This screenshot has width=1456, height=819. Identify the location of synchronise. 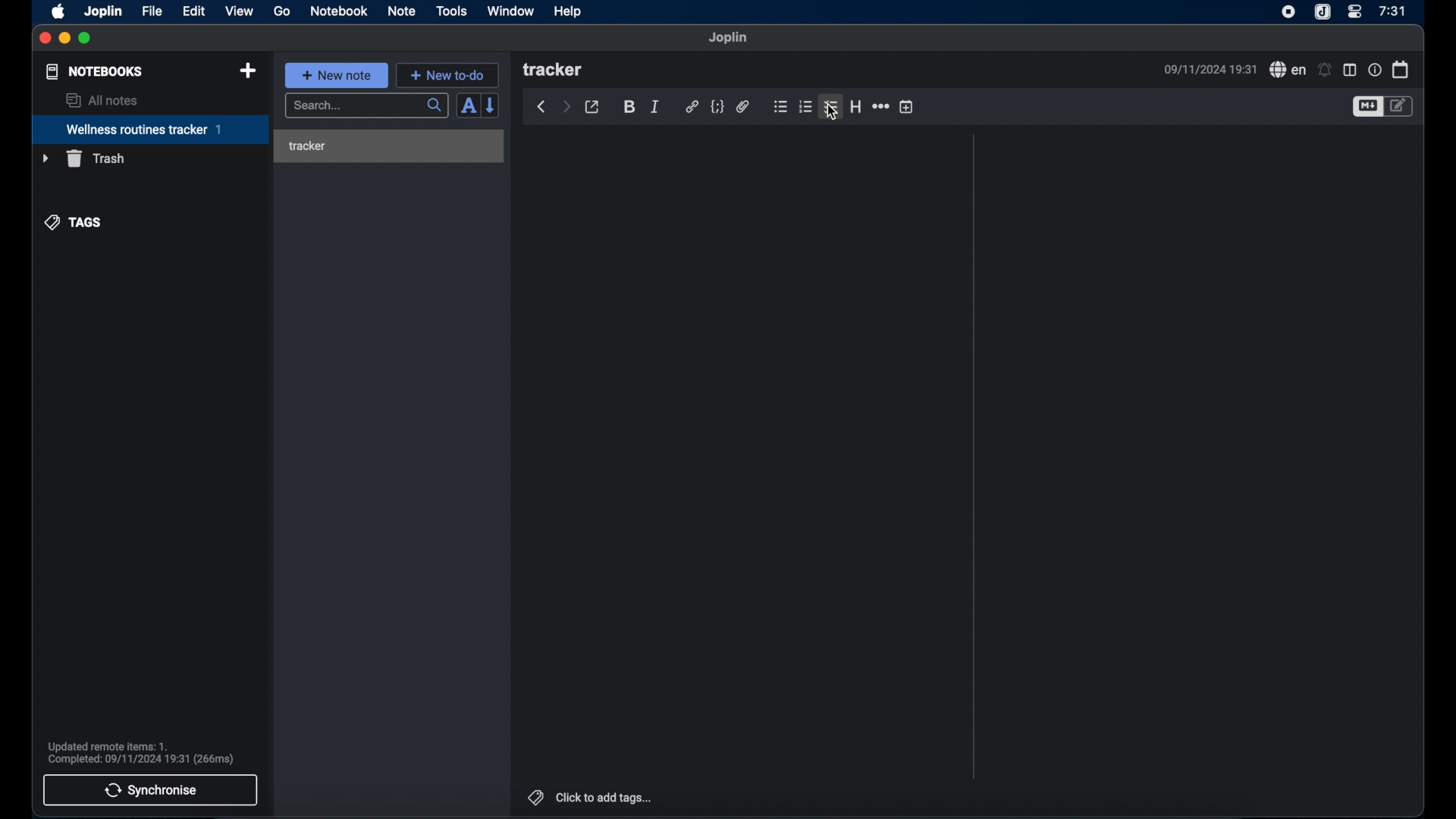
(151, 790).